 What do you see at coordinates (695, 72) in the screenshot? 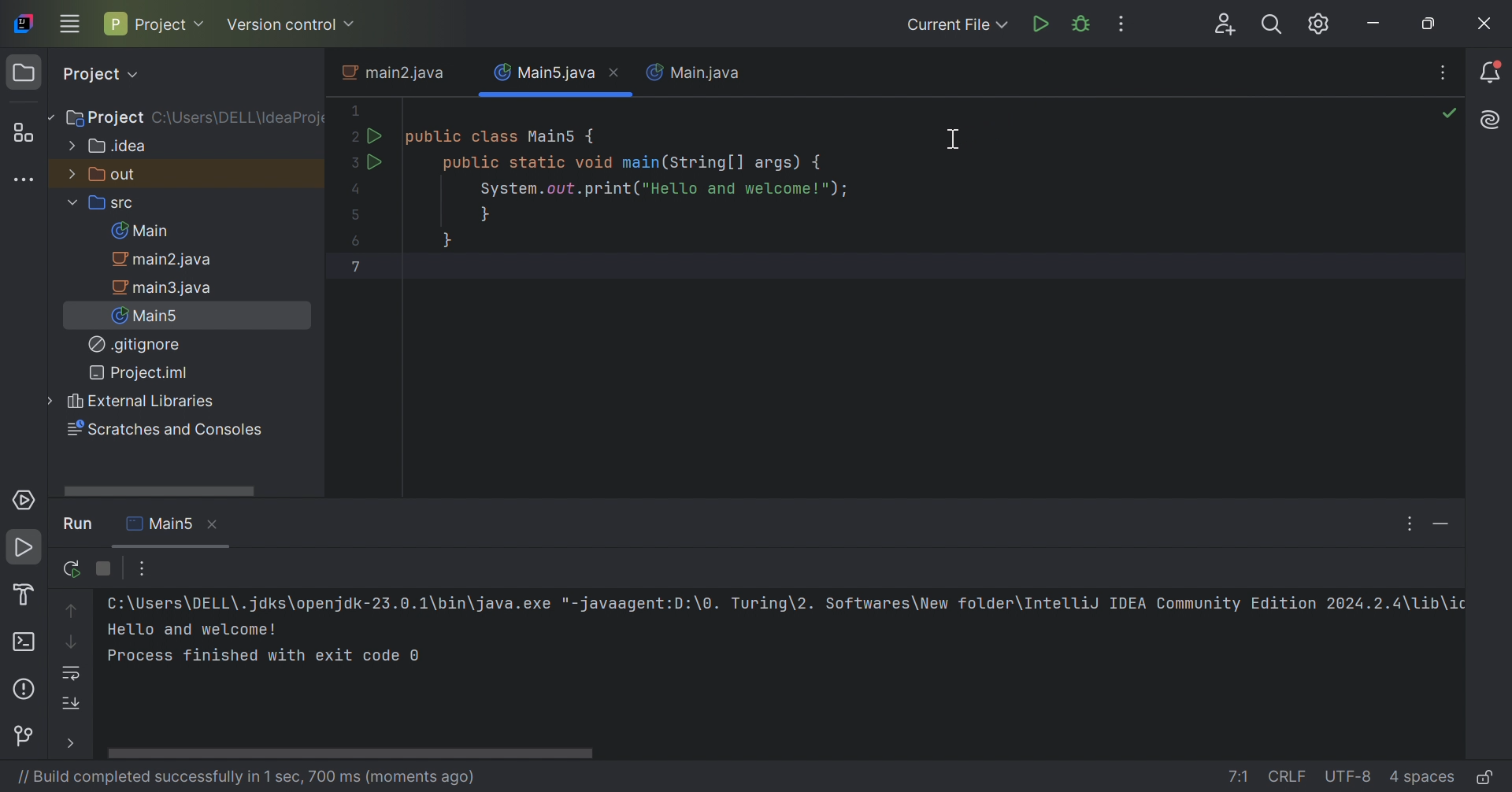
I see `Main.java` at bounding box center [695, 72].